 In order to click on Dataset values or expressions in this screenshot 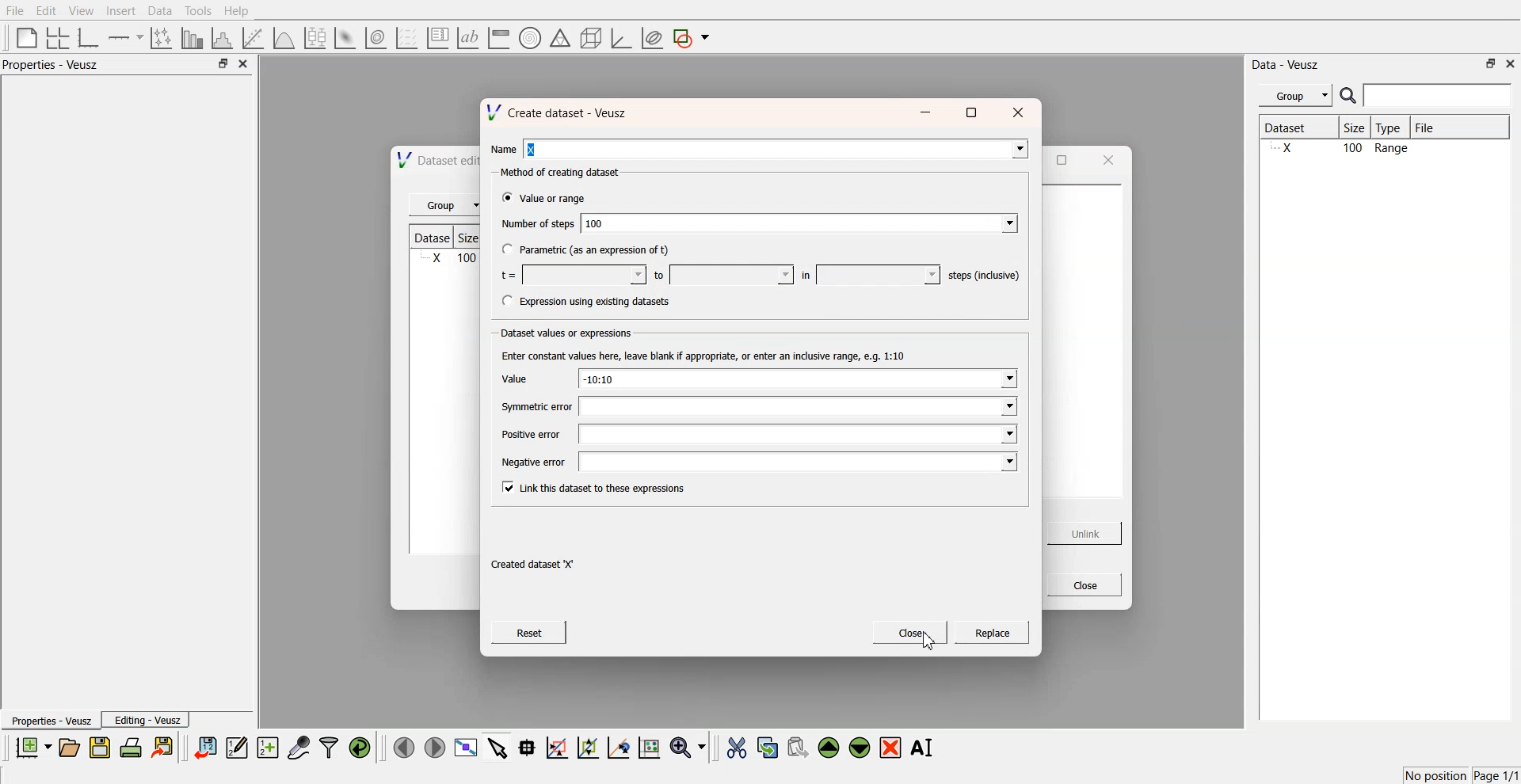, I will do `click(570, 334)`.